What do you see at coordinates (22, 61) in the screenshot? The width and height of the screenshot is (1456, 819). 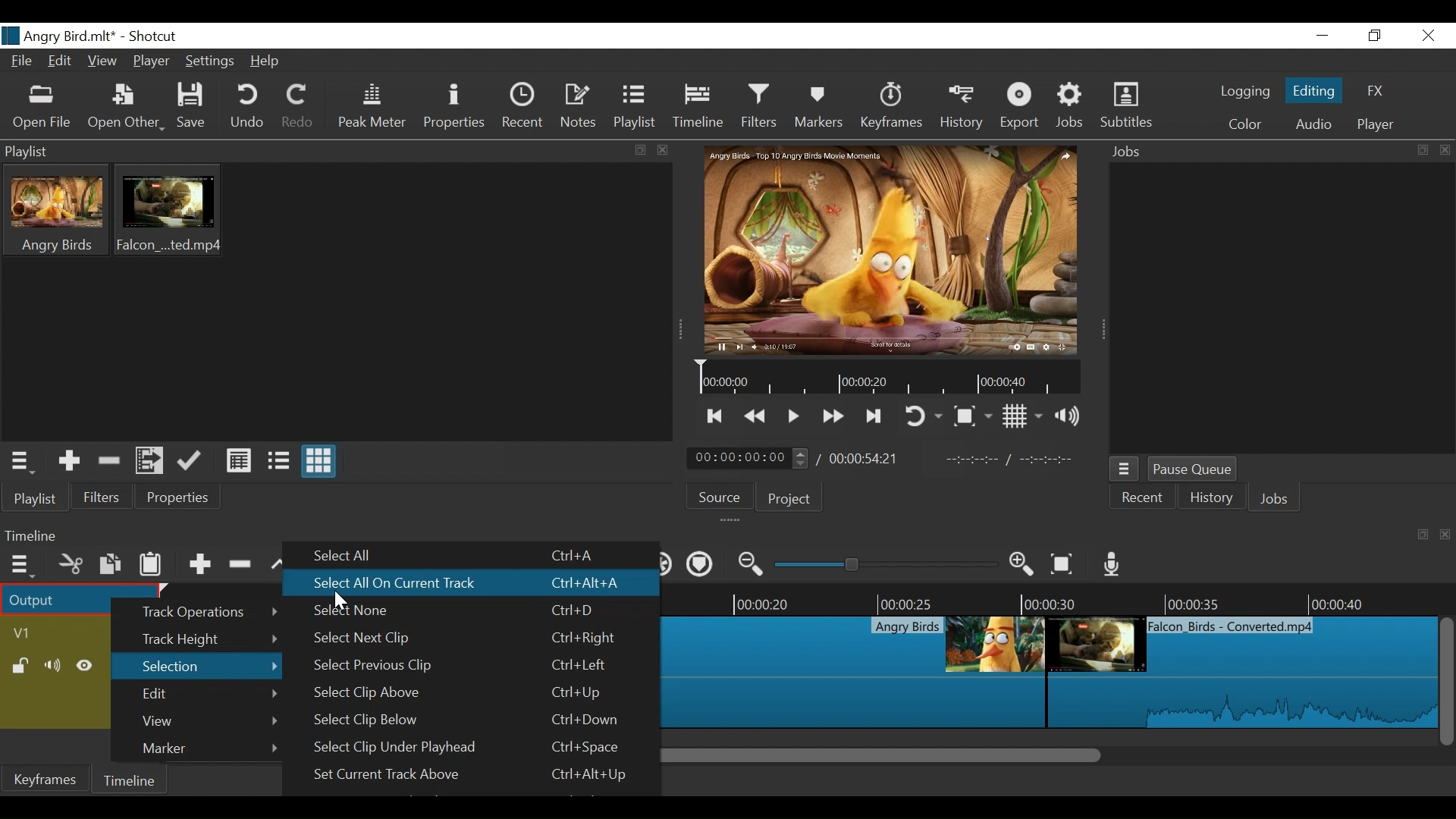 I see `File` at bounding box center [22, 61].